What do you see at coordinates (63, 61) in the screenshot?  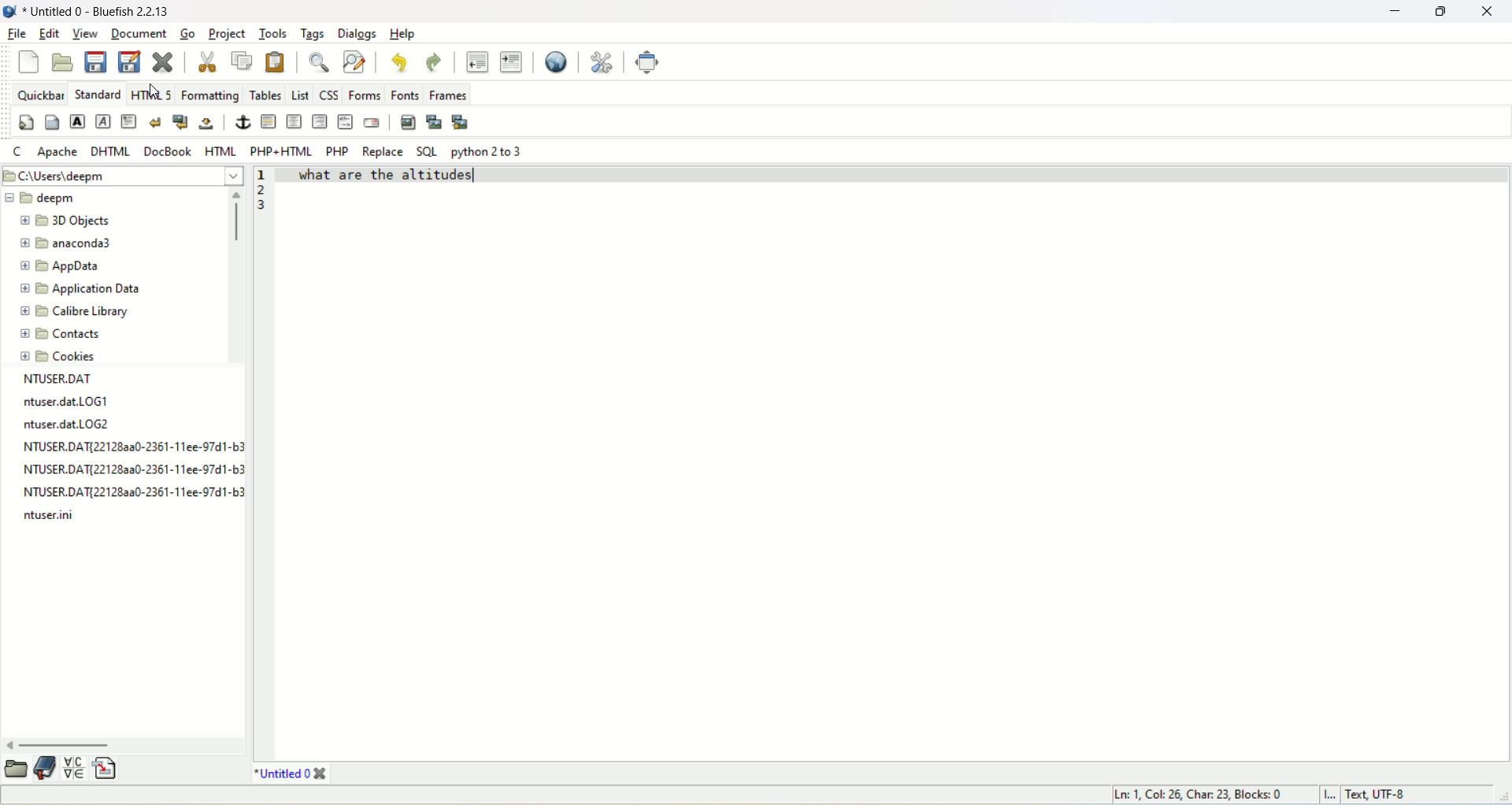 I see `open file` at bounding box center [63, 61].